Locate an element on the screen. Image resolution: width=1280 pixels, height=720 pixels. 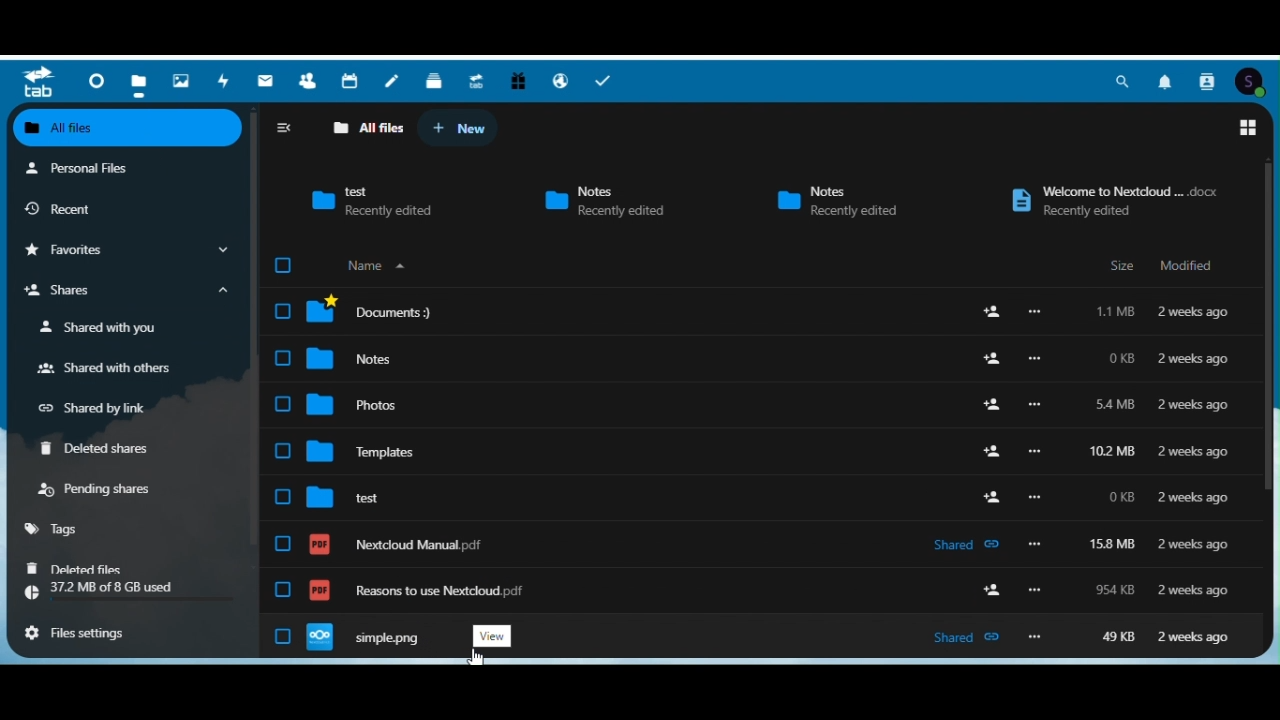
modified is located at coordinates (1192, 498).